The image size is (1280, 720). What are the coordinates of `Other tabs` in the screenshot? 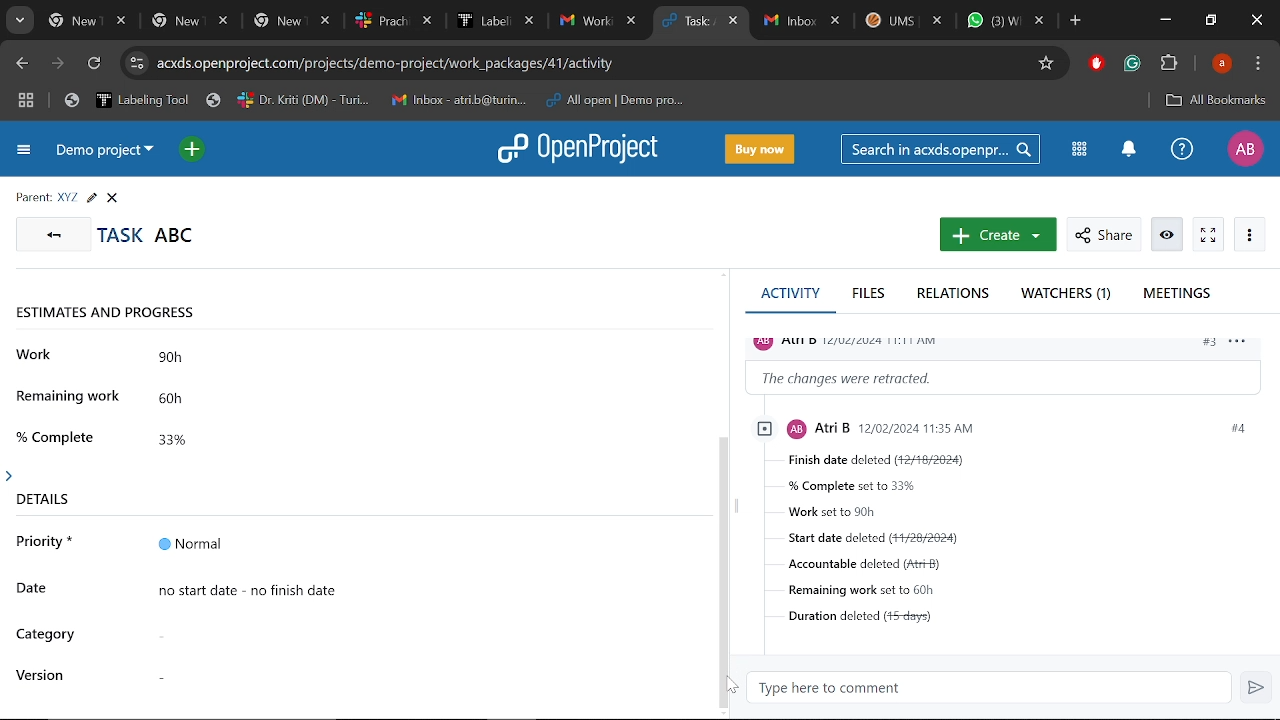 It's located at (344, 21).